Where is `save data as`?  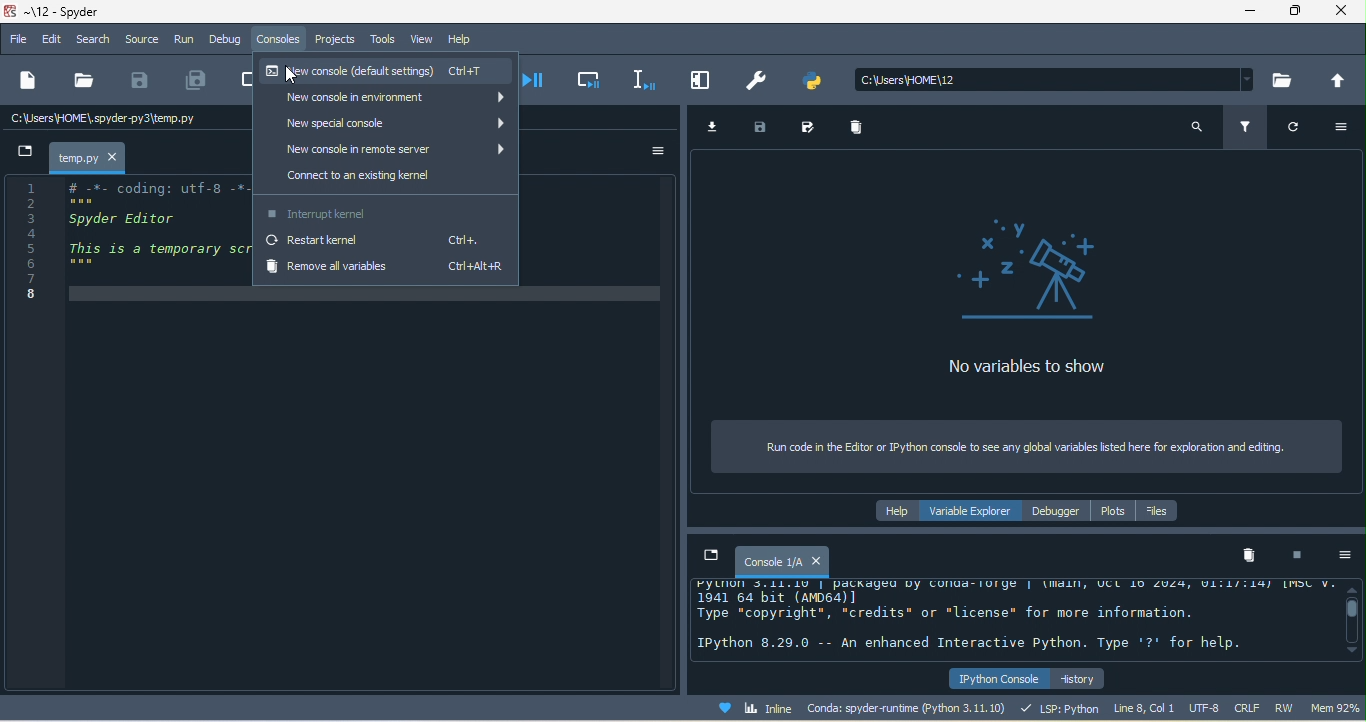 save data as is located at coordinates (811, 128).